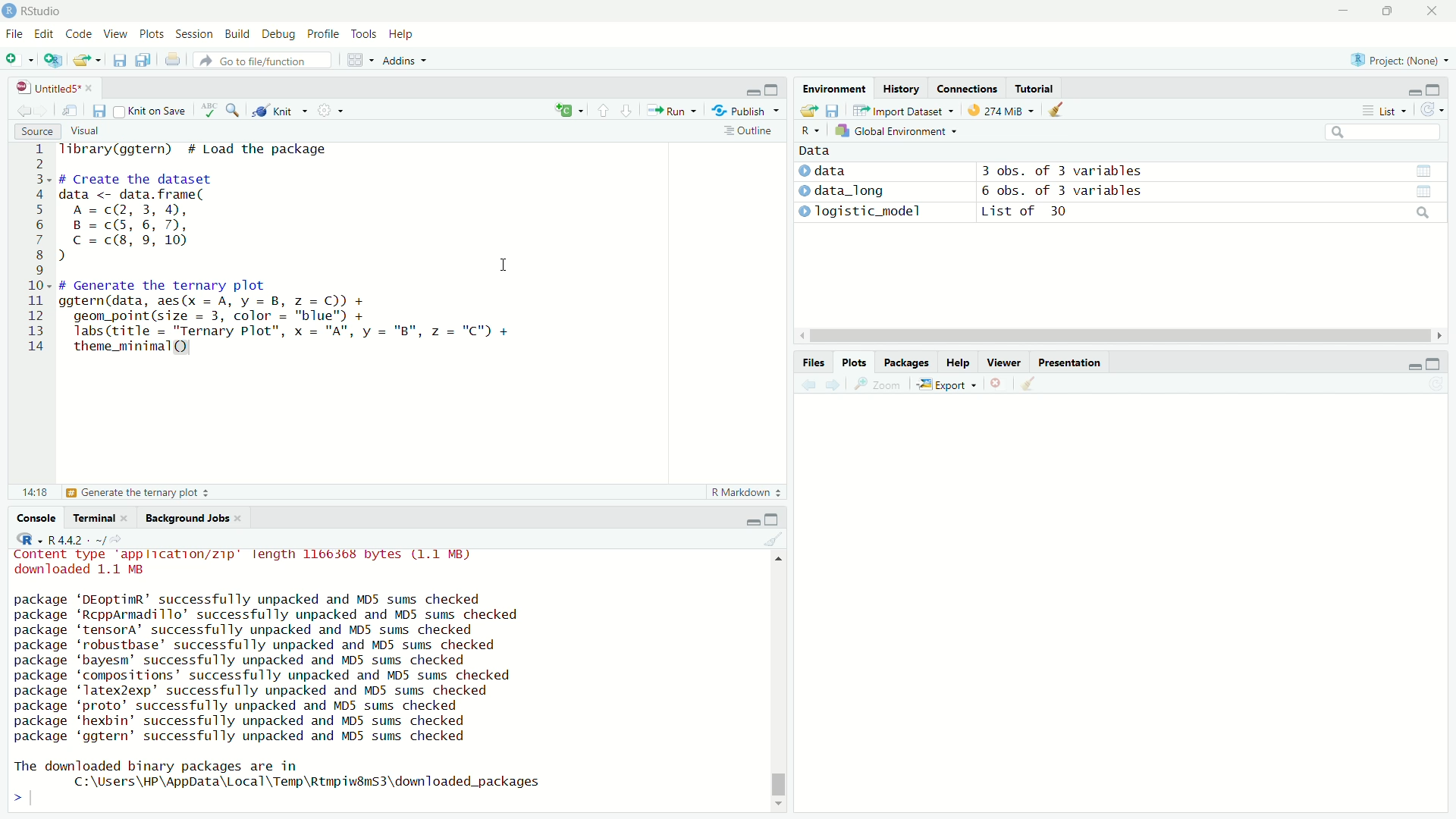 The width and height of the screenshot is (1456, 819). Describe the element at coordinates (629, 111) in the screenshot. I see `downward` at that location.